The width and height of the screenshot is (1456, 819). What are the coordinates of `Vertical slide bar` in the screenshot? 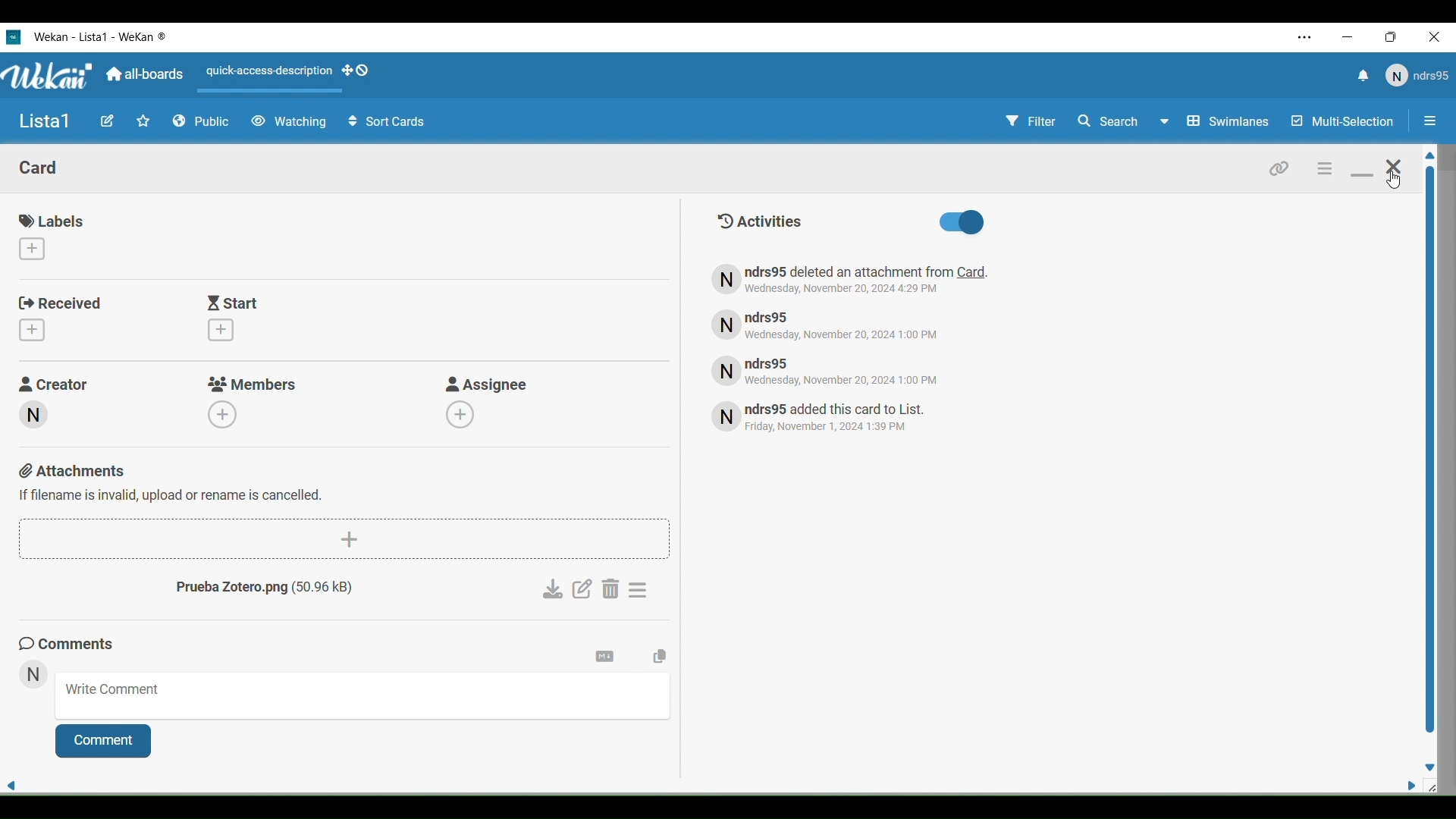 It's located at (1429, 443).